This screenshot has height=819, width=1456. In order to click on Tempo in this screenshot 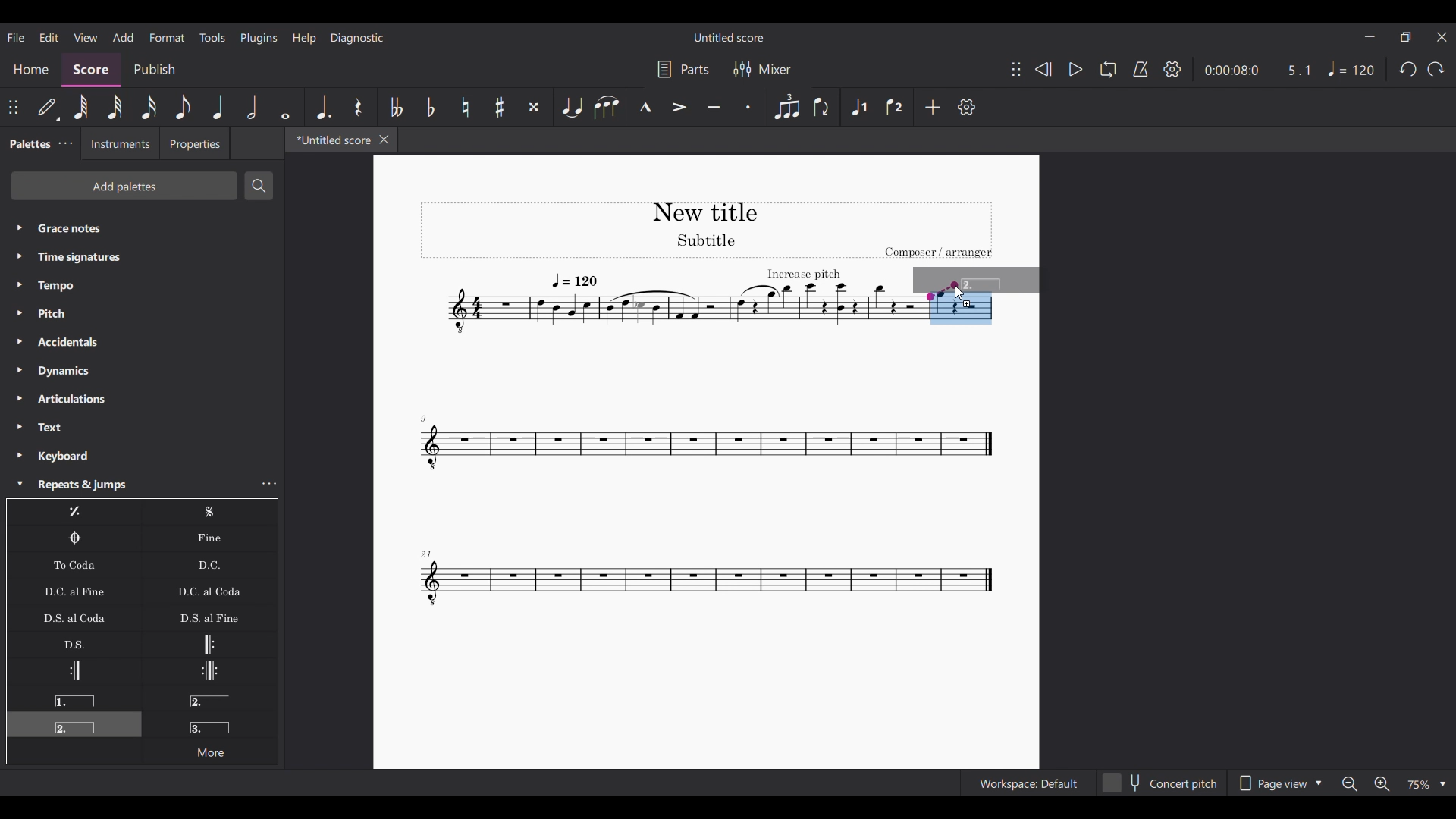, I will do `click(1351, 69)`.